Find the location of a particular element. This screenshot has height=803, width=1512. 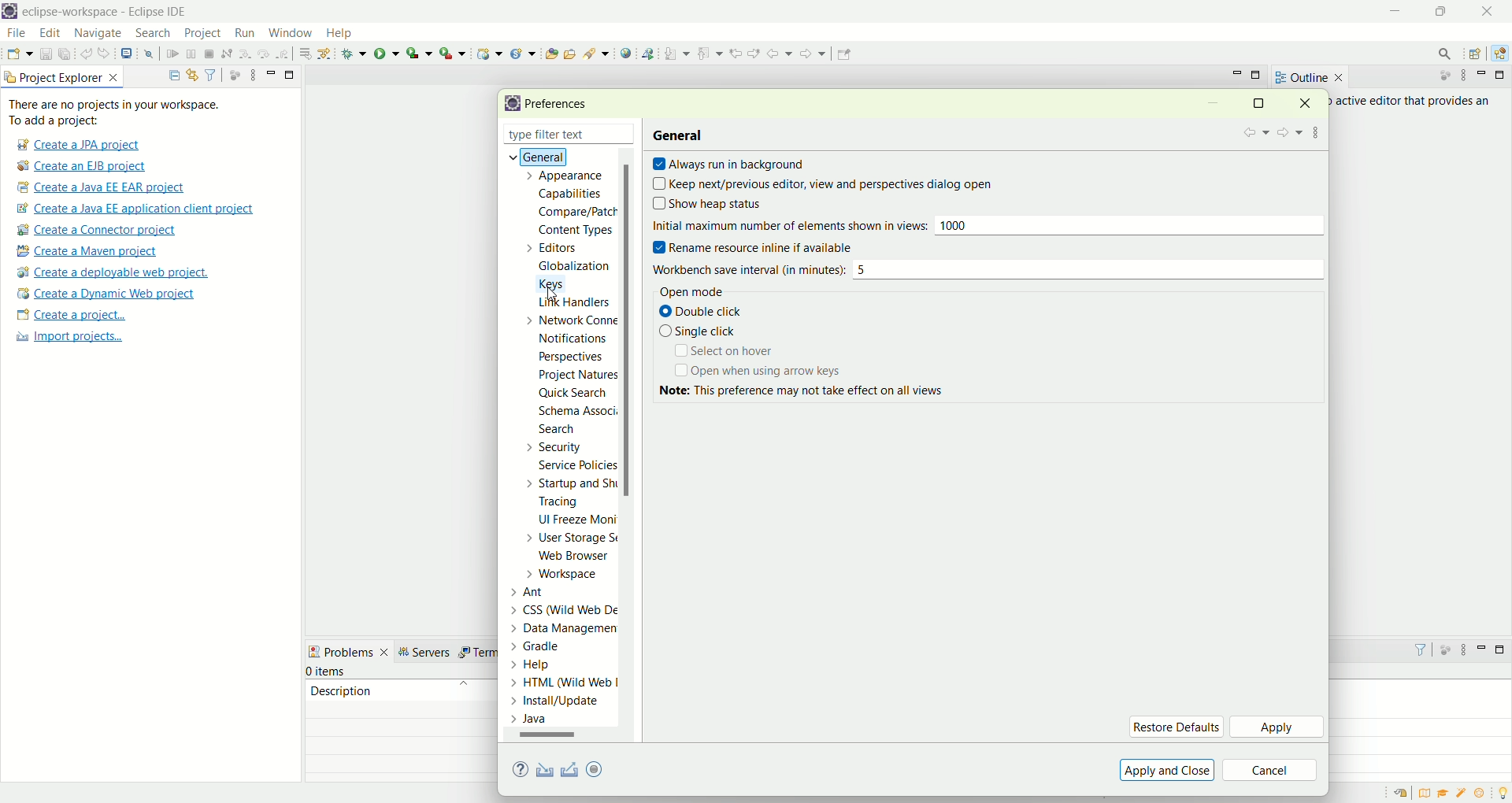

oomph preference is located at coordinates (597, 768).